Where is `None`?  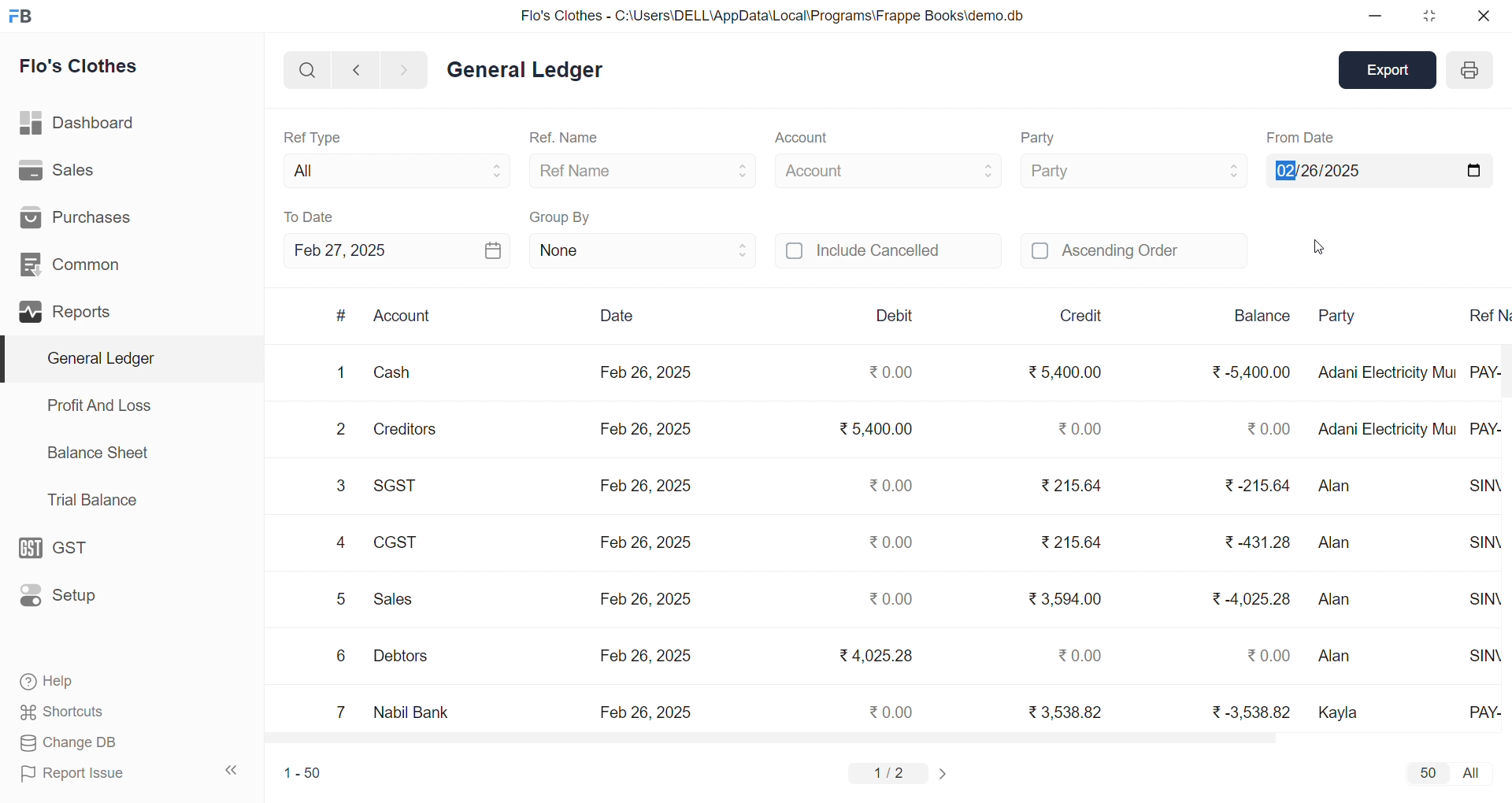 None is located at coordinates (643, 250).